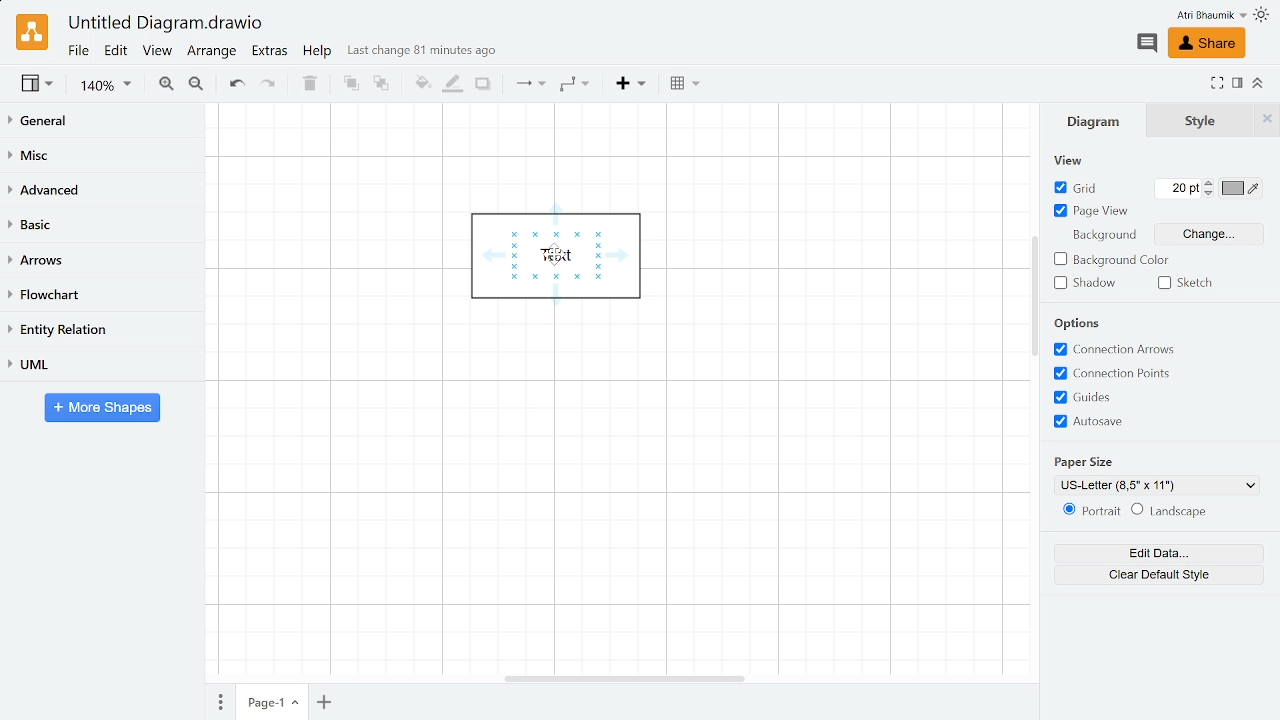 This screenshot has height=720, width=1280. I want to click on Waypoints, so click(576, 86).